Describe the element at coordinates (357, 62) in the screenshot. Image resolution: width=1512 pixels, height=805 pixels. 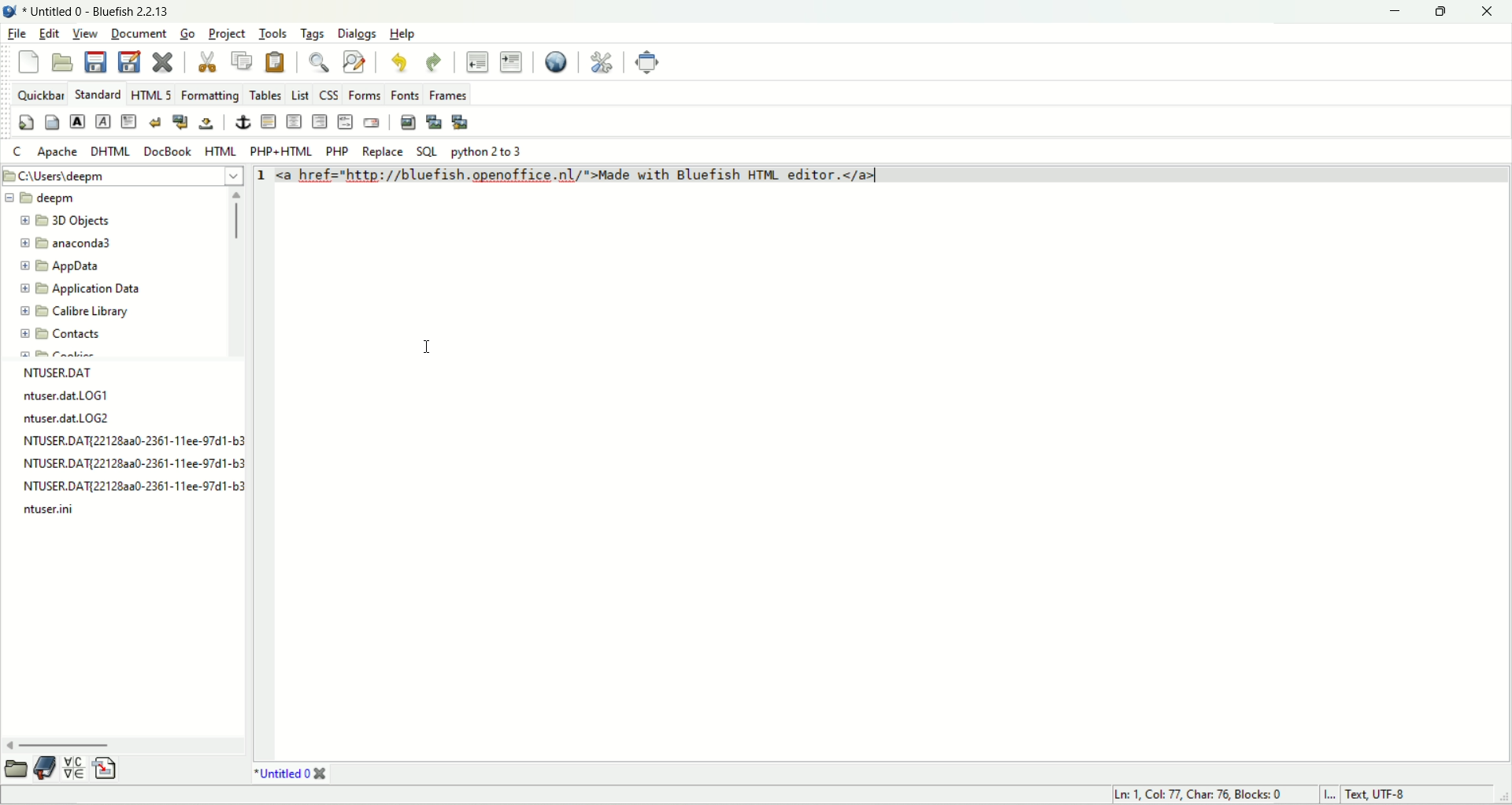
I see `advanced find and replace` at that location.